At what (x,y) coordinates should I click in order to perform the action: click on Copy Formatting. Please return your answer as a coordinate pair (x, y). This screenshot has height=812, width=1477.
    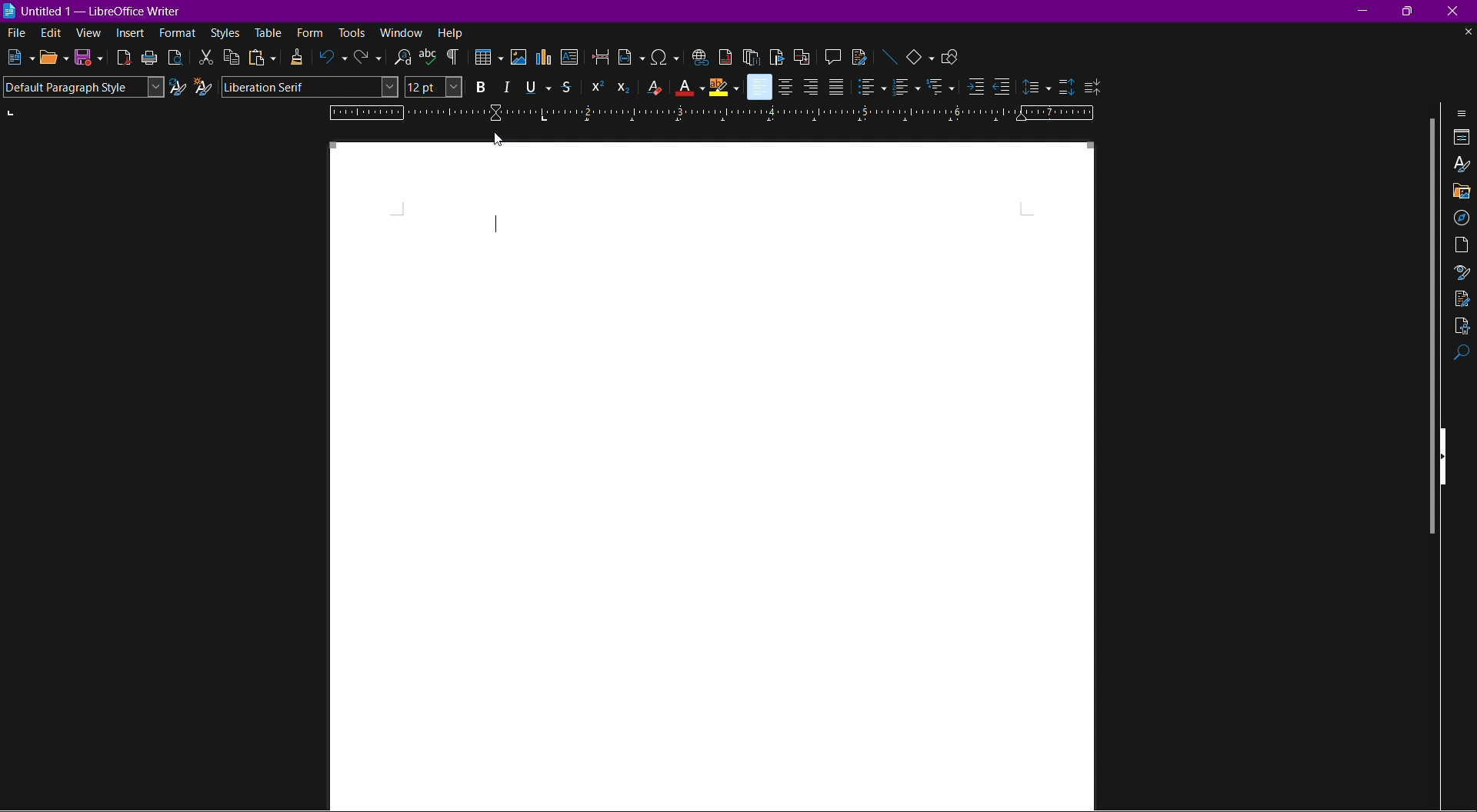
    Looking at the image, I should click on (298, 58).